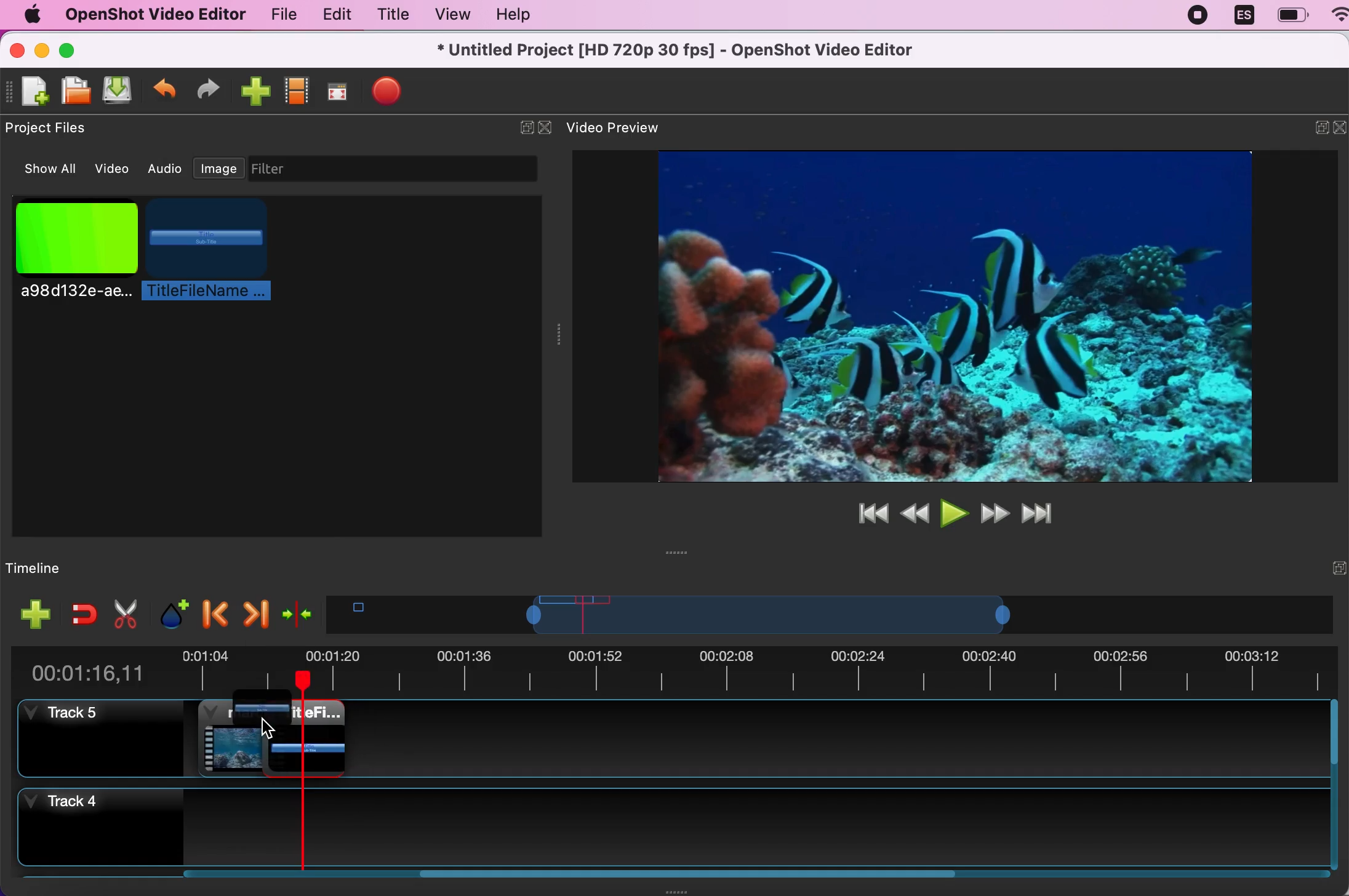 The height and width of the screenshot is (896, 1349). What do you see at coordinates (939, 314) in the screenshot?
I see `video preview` at bounding box center [939, 314].